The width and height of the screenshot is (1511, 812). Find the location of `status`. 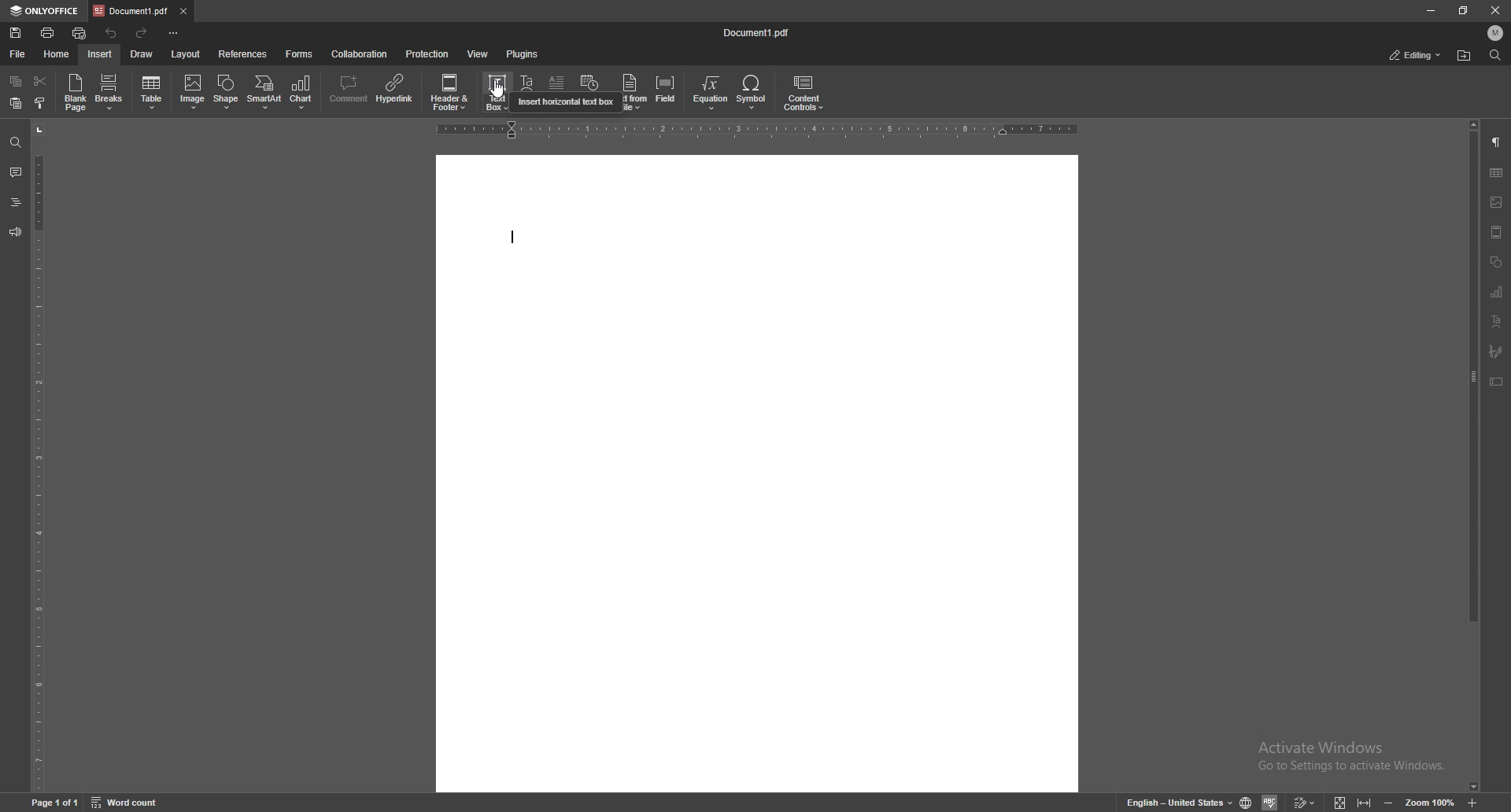

status is located at coordinates (1416, 55).